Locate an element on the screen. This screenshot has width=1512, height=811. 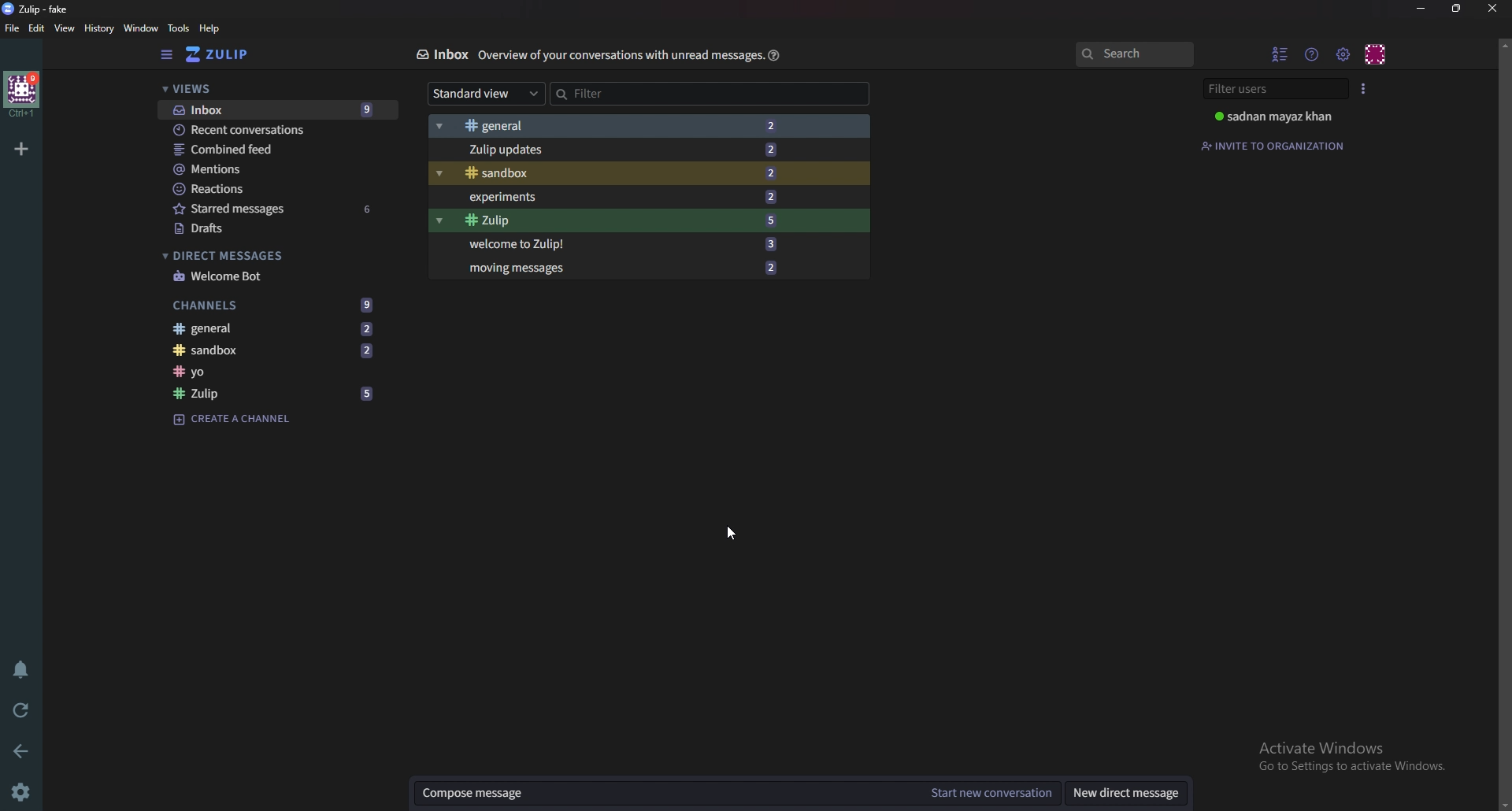
Tools is located at coordinates (179, 28).